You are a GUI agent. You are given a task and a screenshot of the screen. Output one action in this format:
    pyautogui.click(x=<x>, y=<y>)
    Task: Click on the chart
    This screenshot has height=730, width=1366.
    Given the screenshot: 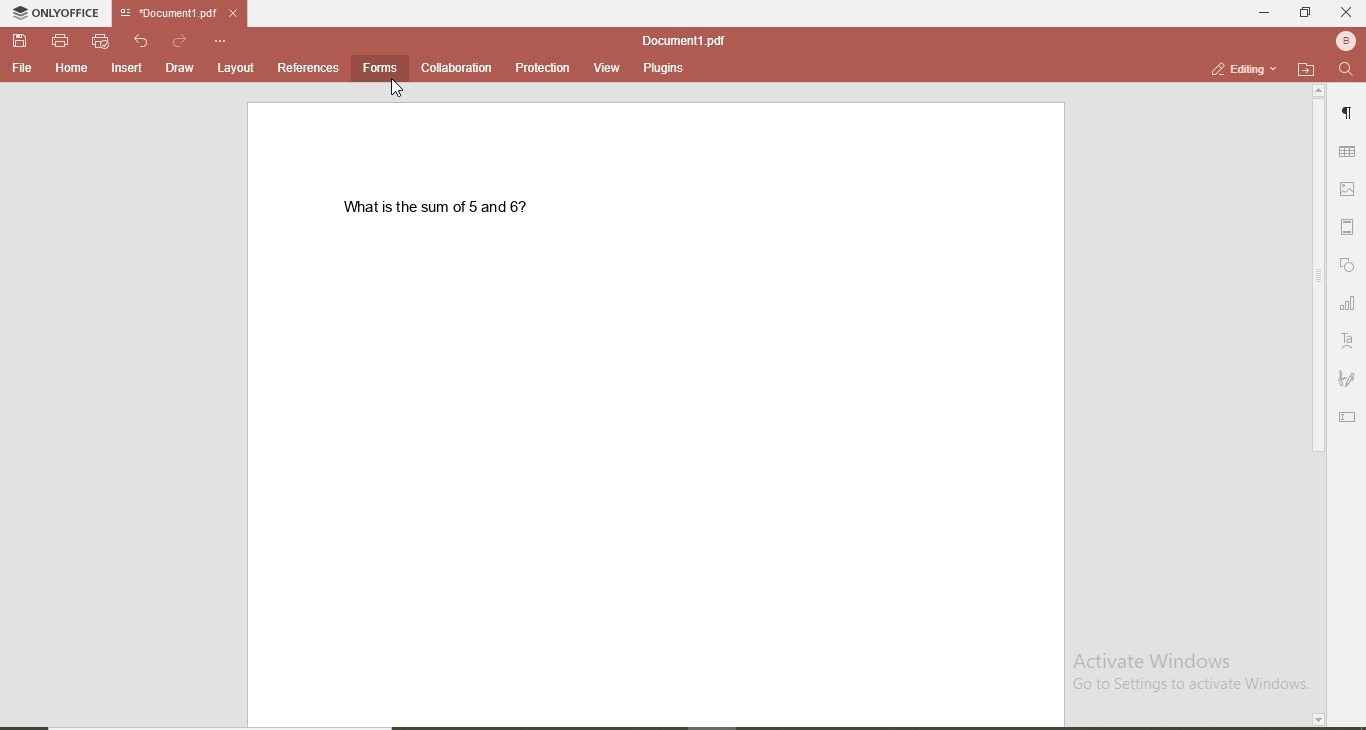 What is the action you would take?
    pyautogui.click(x=1349, y=304)
    